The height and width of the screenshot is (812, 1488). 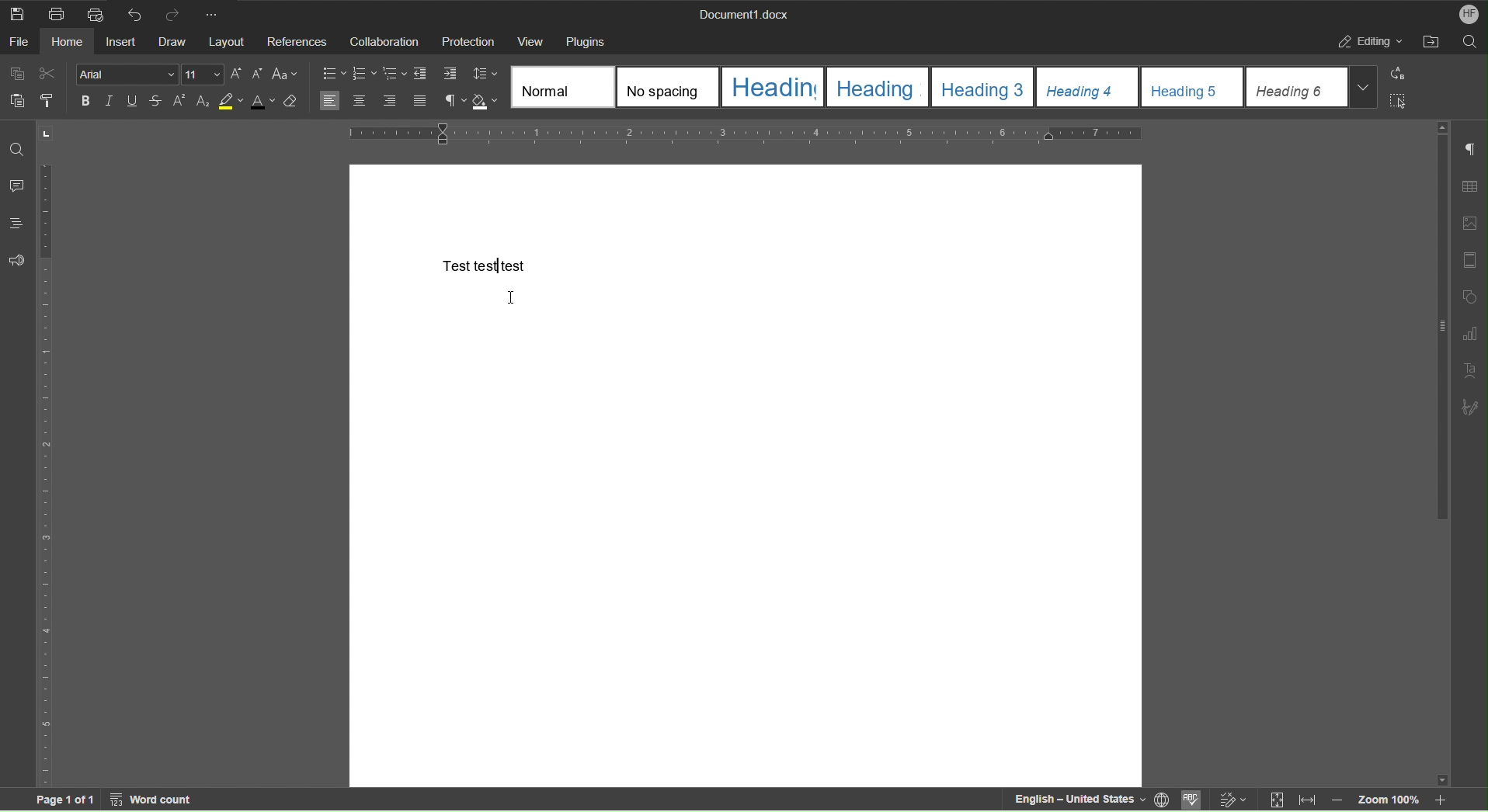 I want to click on Heading 5, so click(x=1194, y=88).